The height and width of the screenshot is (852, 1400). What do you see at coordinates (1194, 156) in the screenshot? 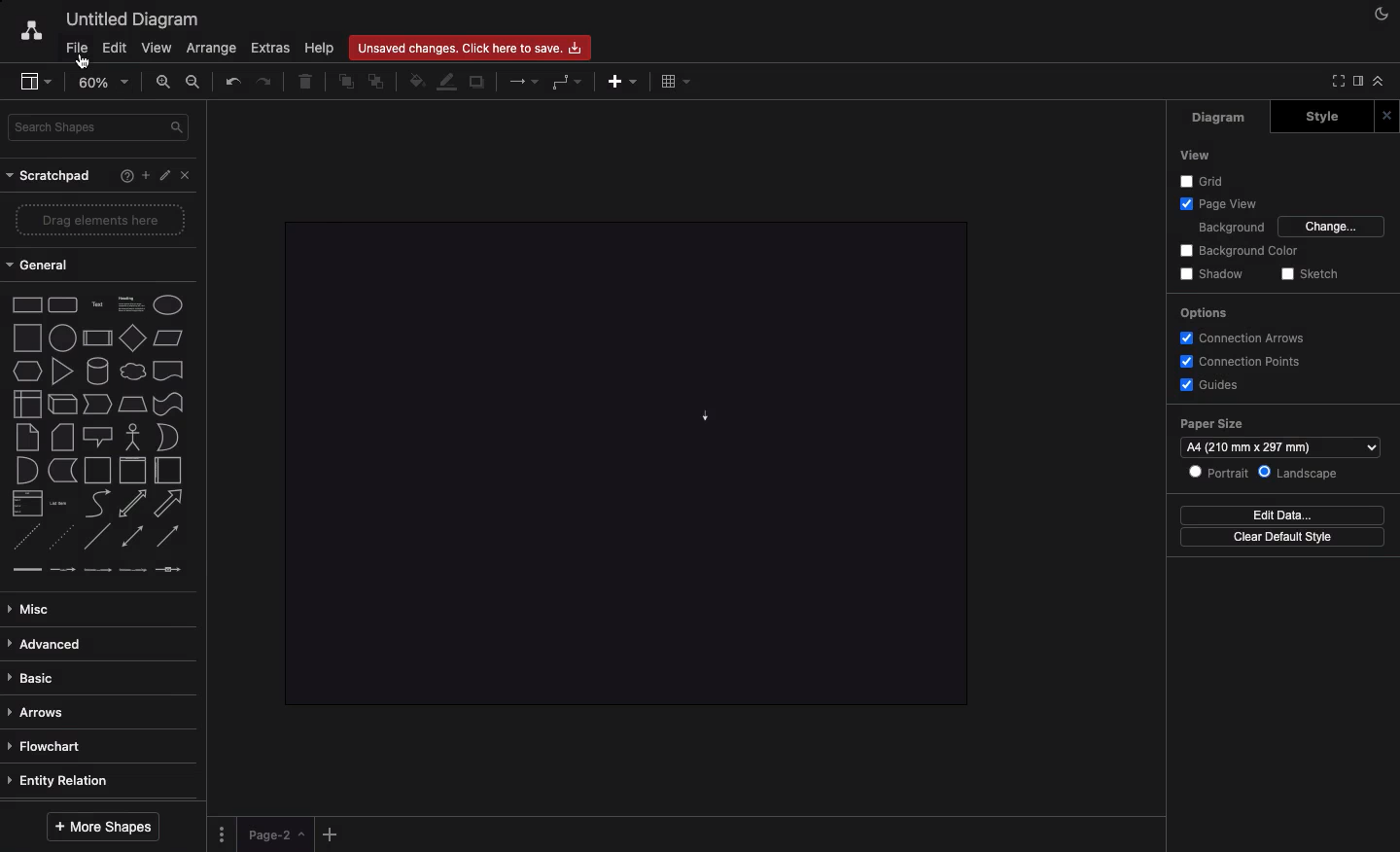
I see `View ` at bounding box center [1194, 156].